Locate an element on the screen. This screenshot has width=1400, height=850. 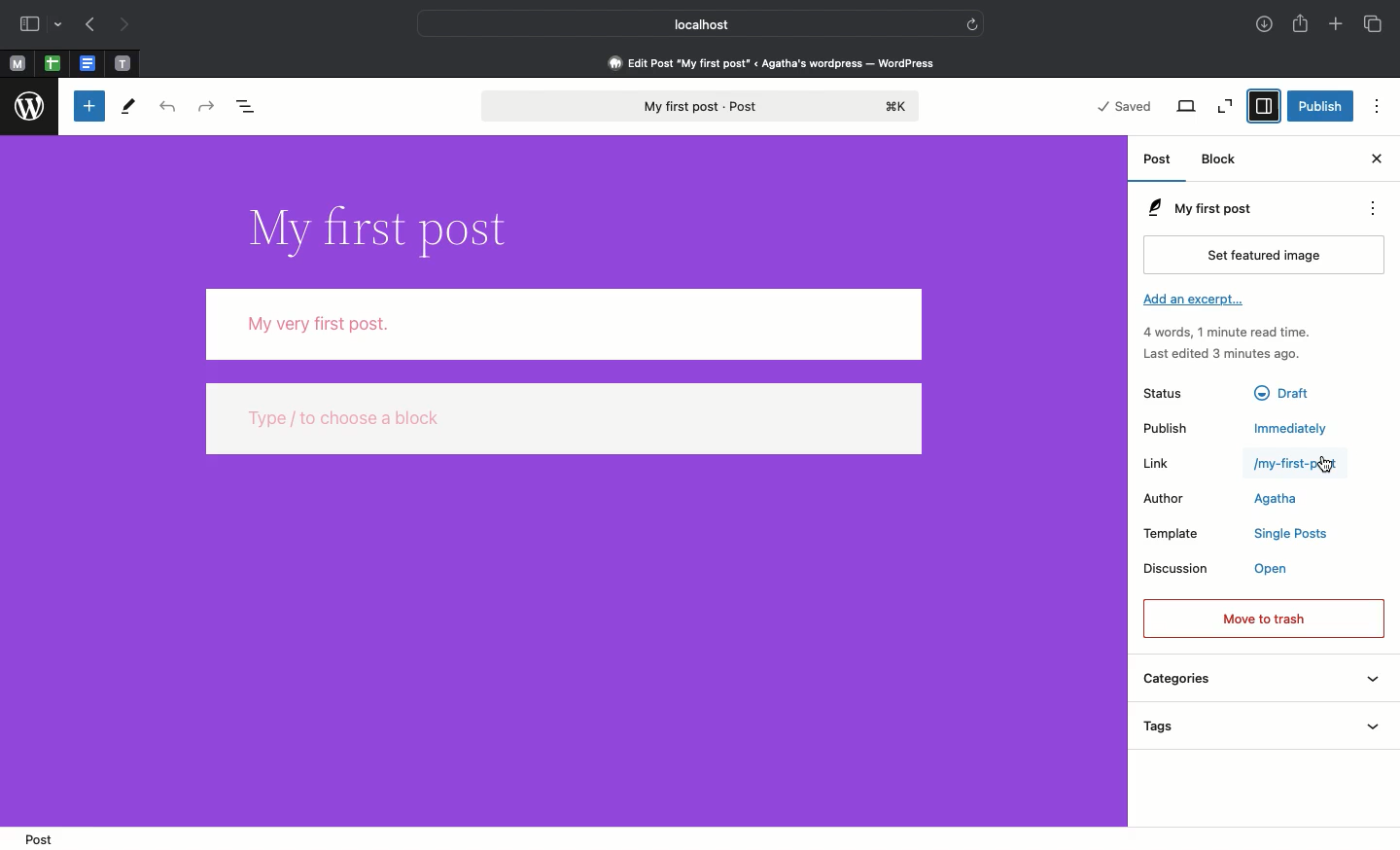
Wordpress is located at coordinates (28, 107).